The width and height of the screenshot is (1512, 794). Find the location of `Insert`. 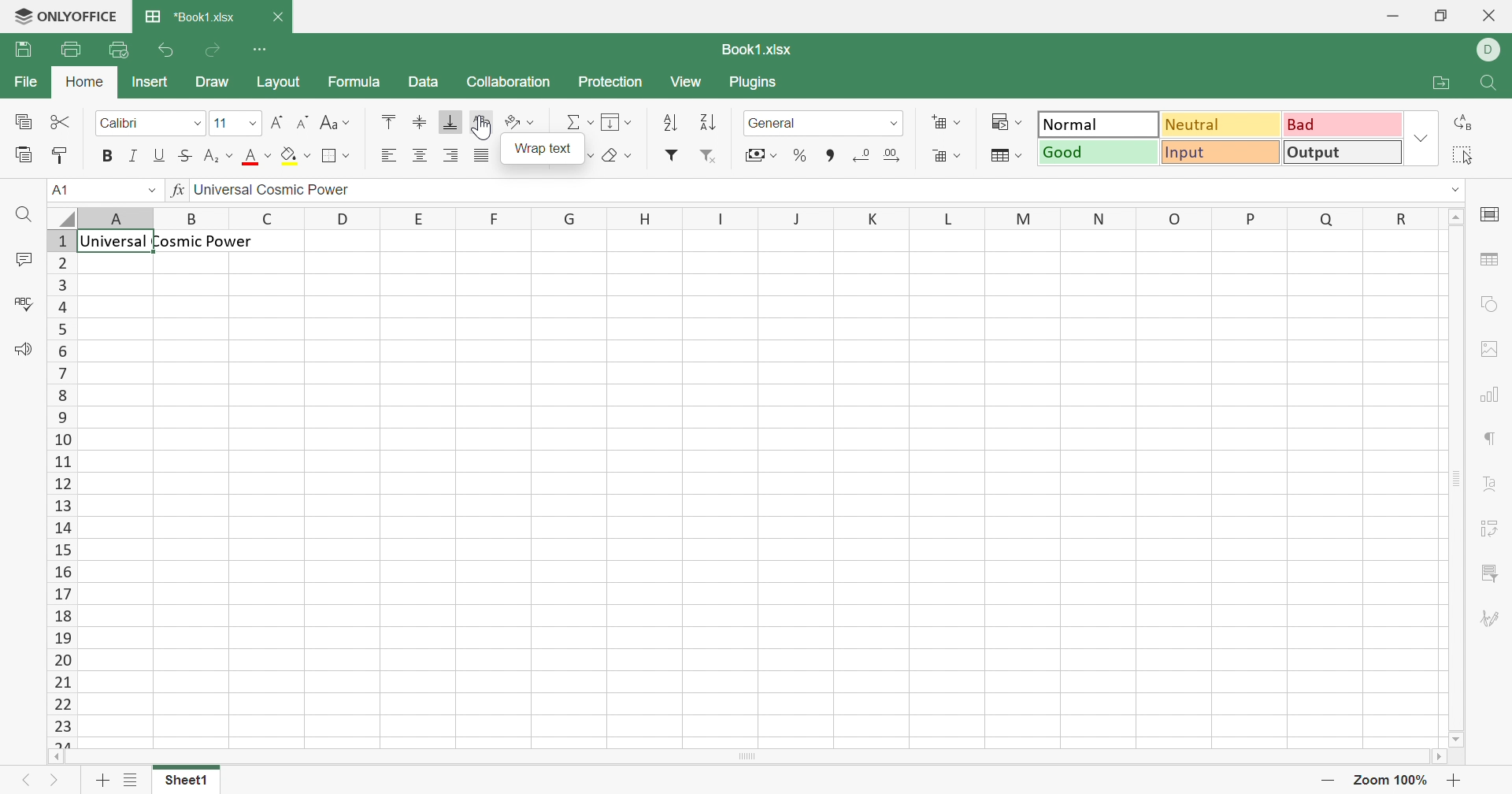

Insert is located at coordinates (150, 83).